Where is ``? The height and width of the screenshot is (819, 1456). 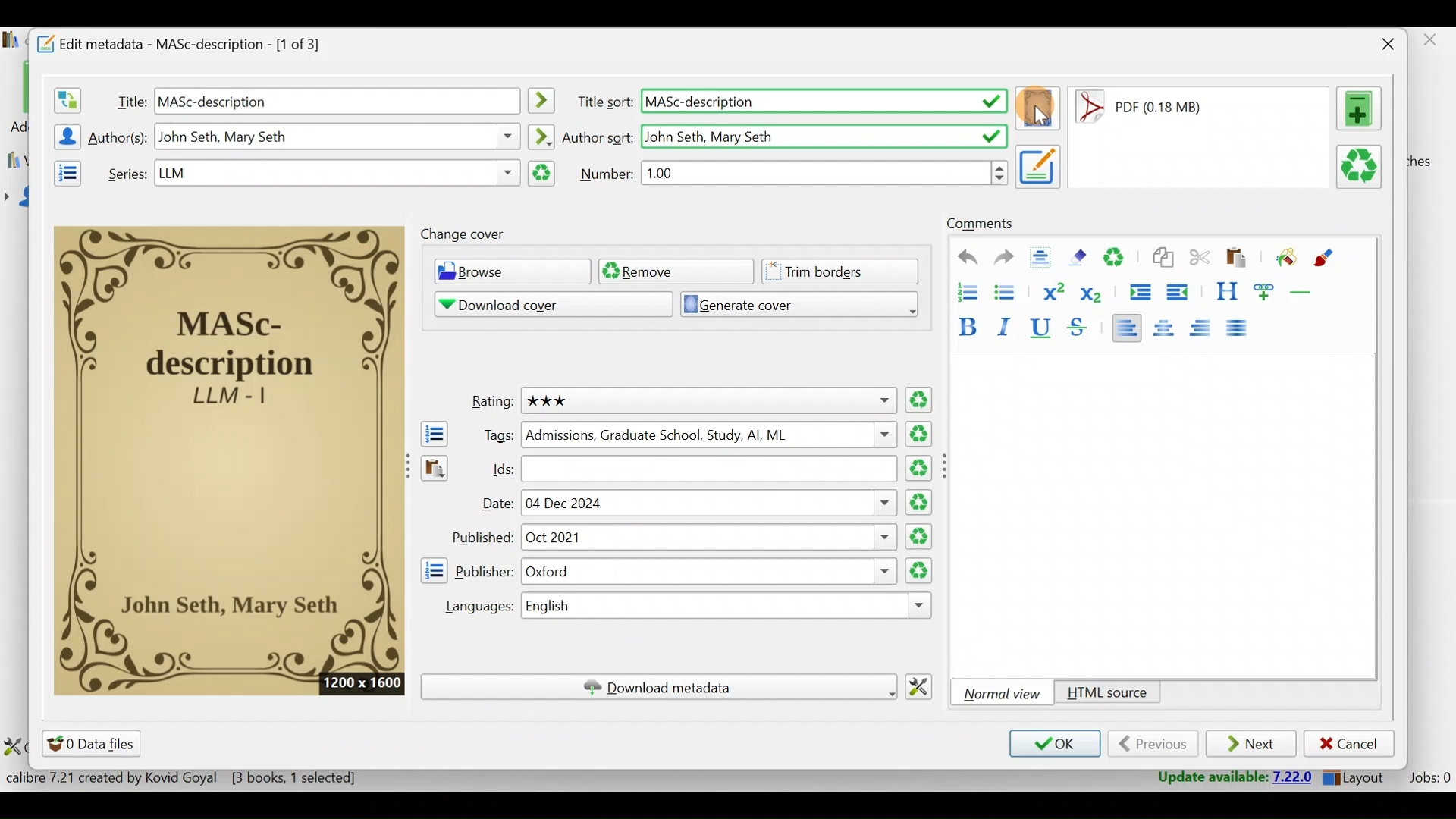  is located at coordinates (544, 101).